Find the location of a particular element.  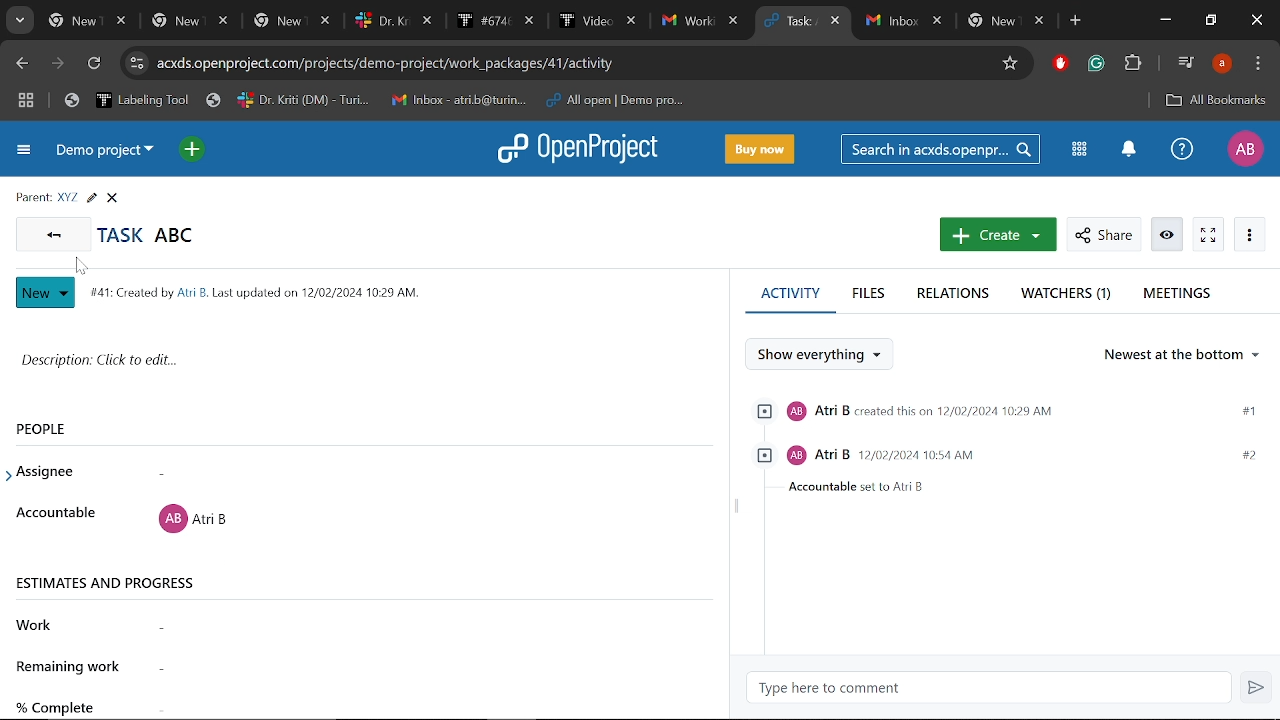

Profile is located at coordinates (1242, 150).